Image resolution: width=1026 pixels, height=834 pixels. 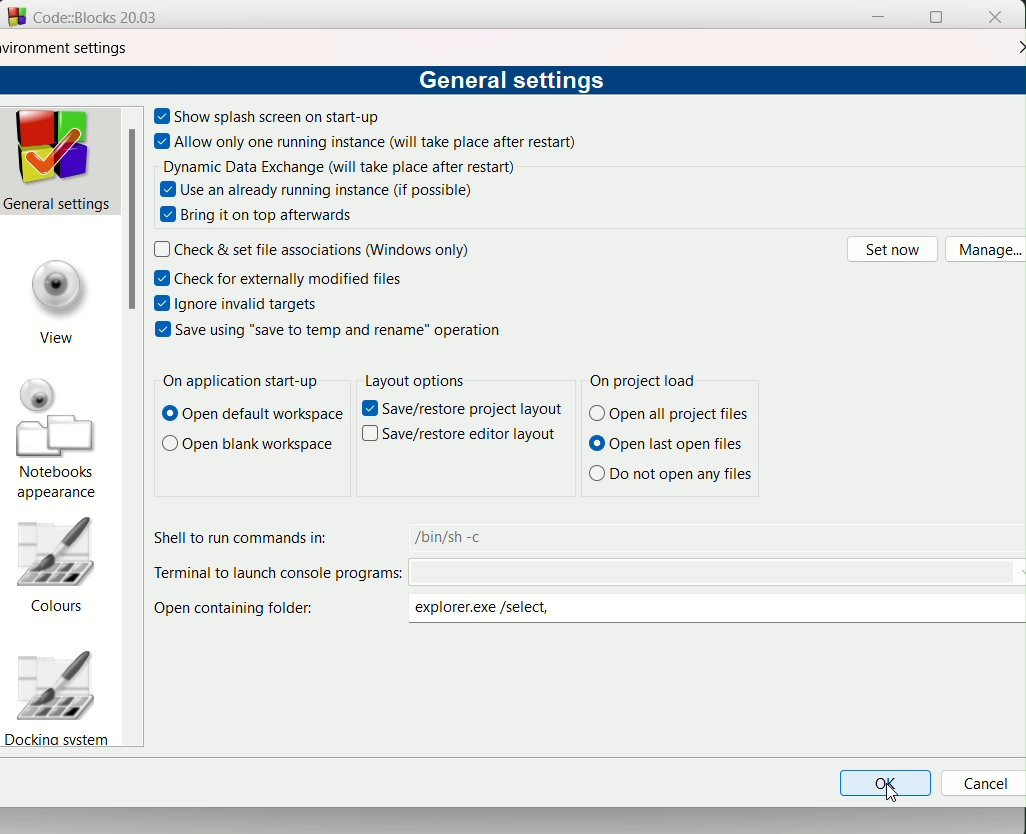 What do you see at coordinates (370, 435) in the screenshot?
I see `` at bounding box center [370, 435].